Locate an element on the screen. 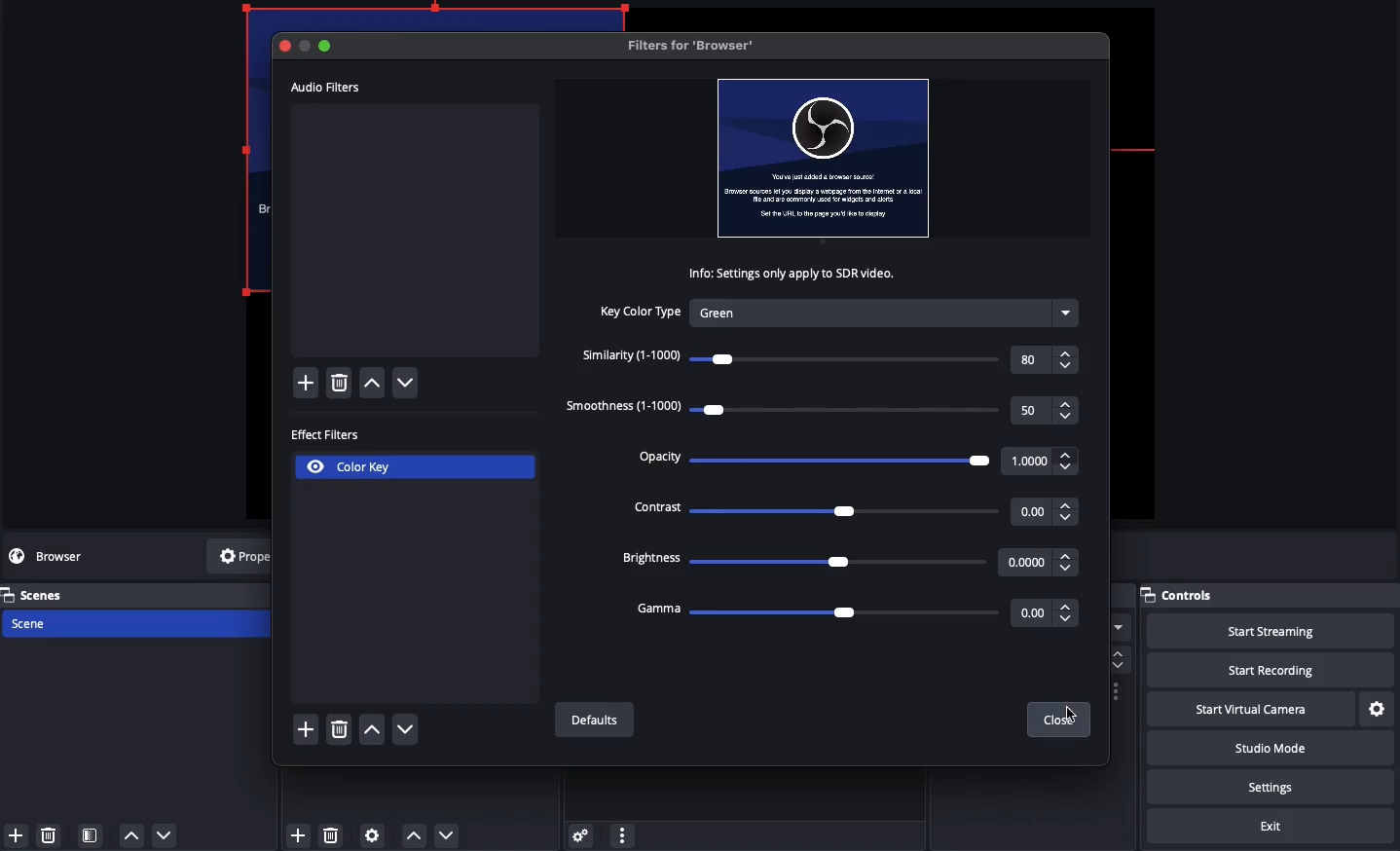  up is located at coordinates (374, 728).